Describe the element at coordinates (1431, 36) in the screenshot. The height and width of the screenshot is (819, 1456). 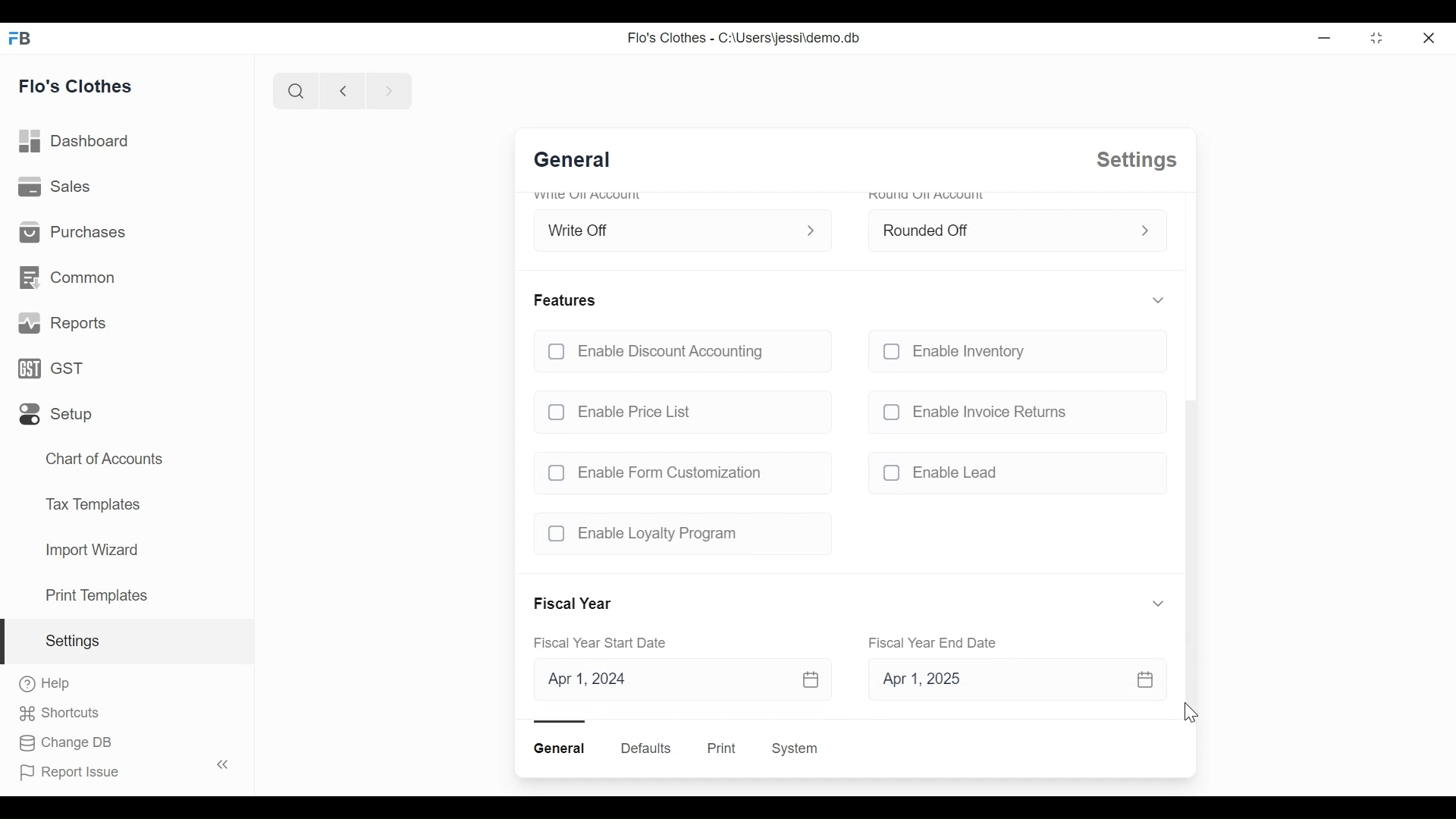
I see `Close` at that location.